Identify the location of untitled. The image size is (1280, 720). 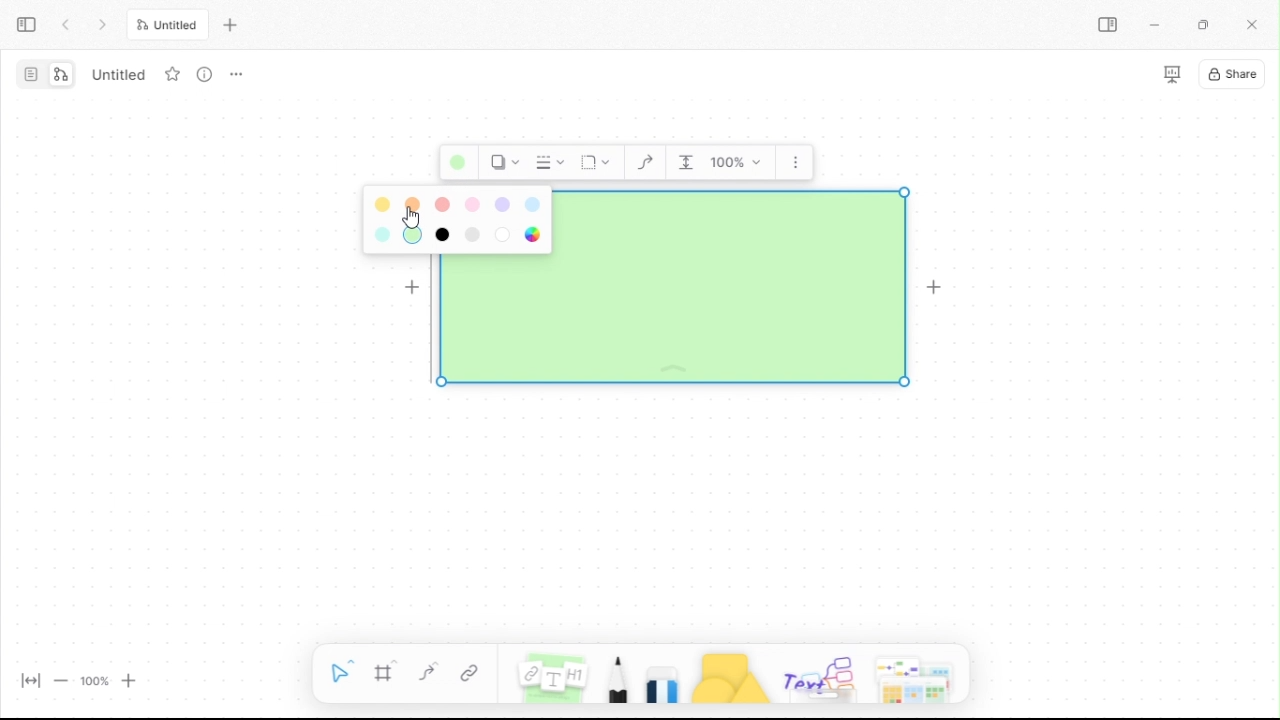
(166, 26).